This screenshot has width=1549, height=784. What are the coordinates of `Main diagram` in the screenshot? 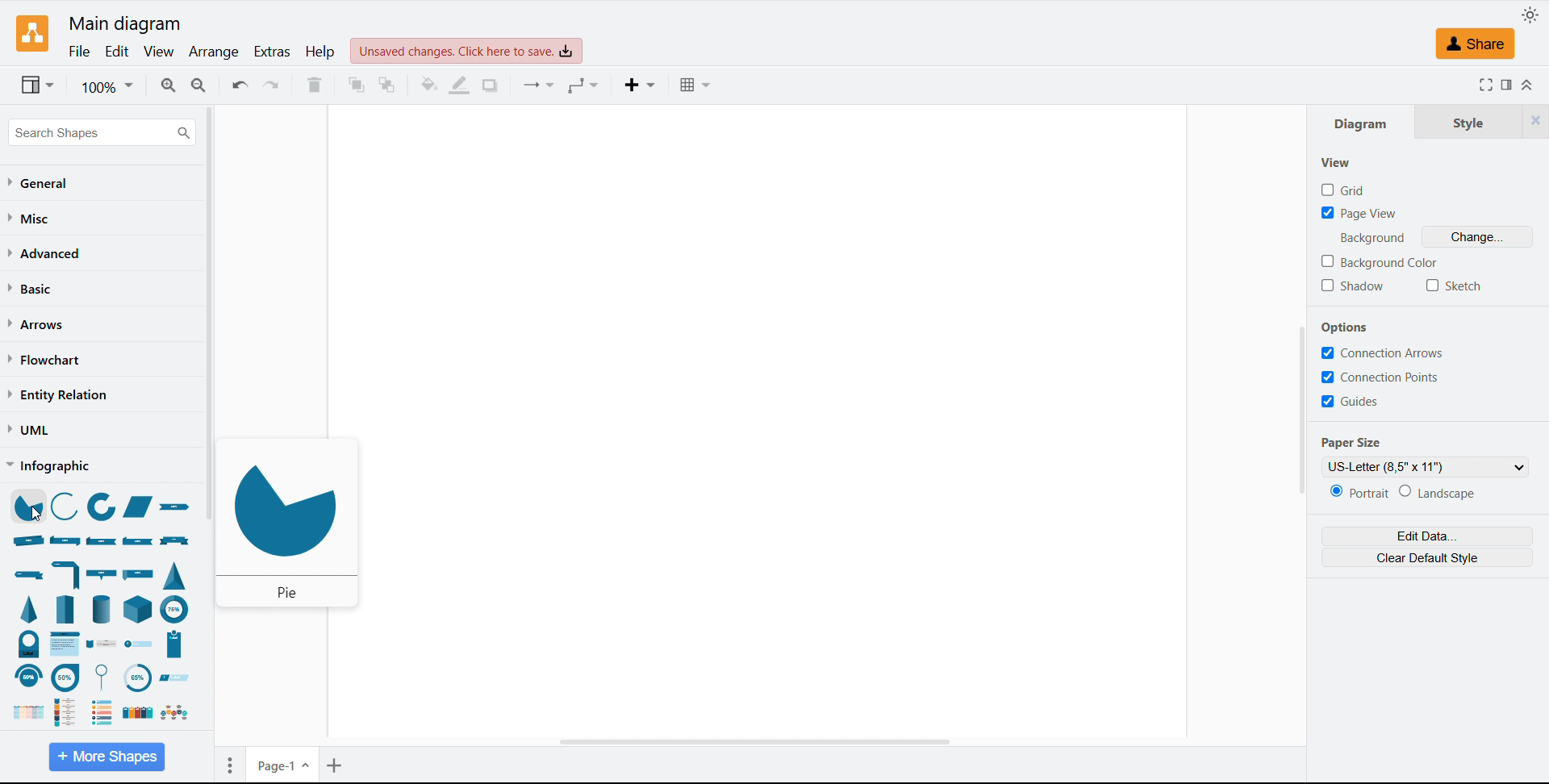 It's located at (125, 24).